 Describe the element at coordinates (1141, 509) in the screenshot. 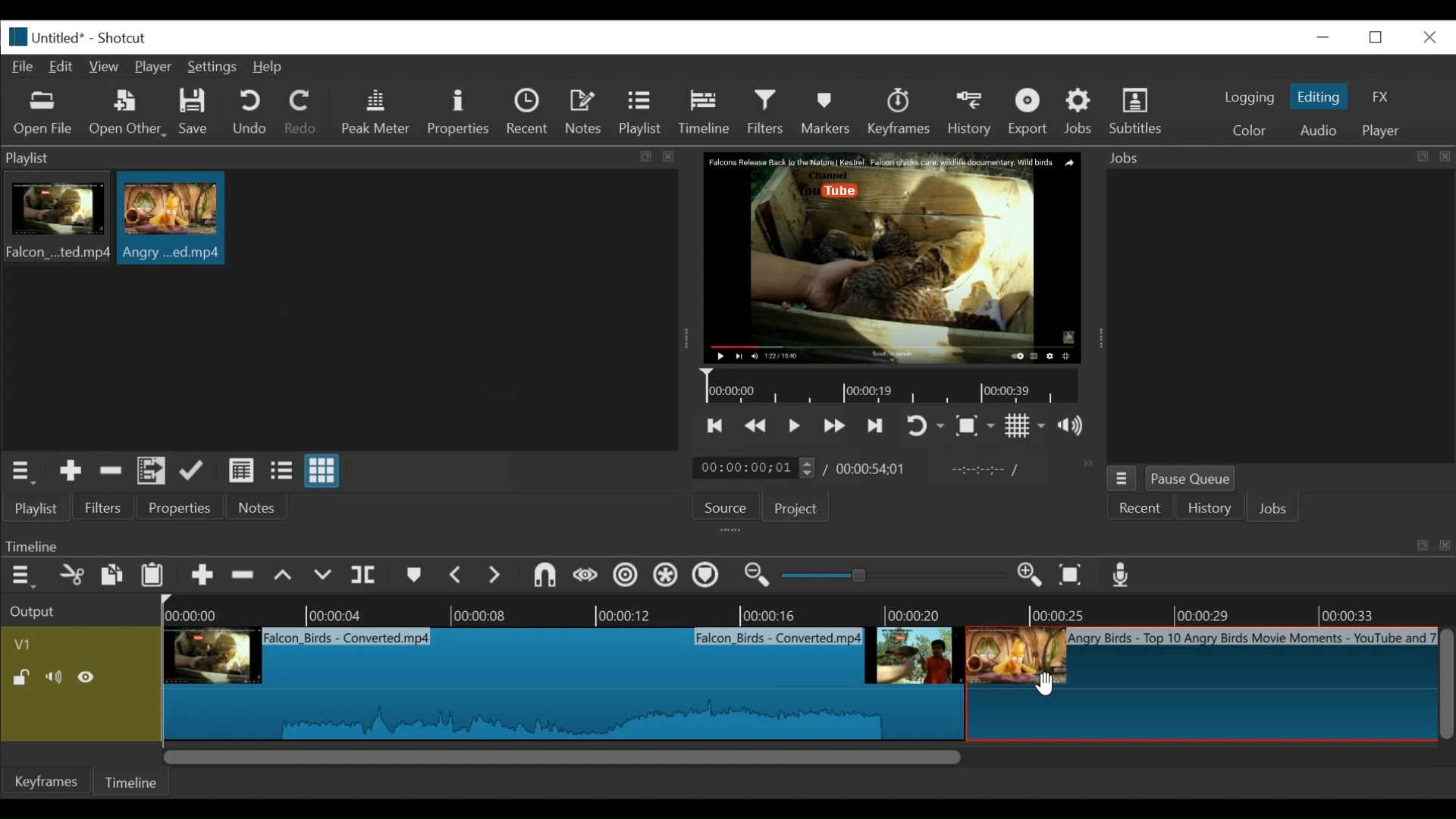

I see `Recent` at that location.